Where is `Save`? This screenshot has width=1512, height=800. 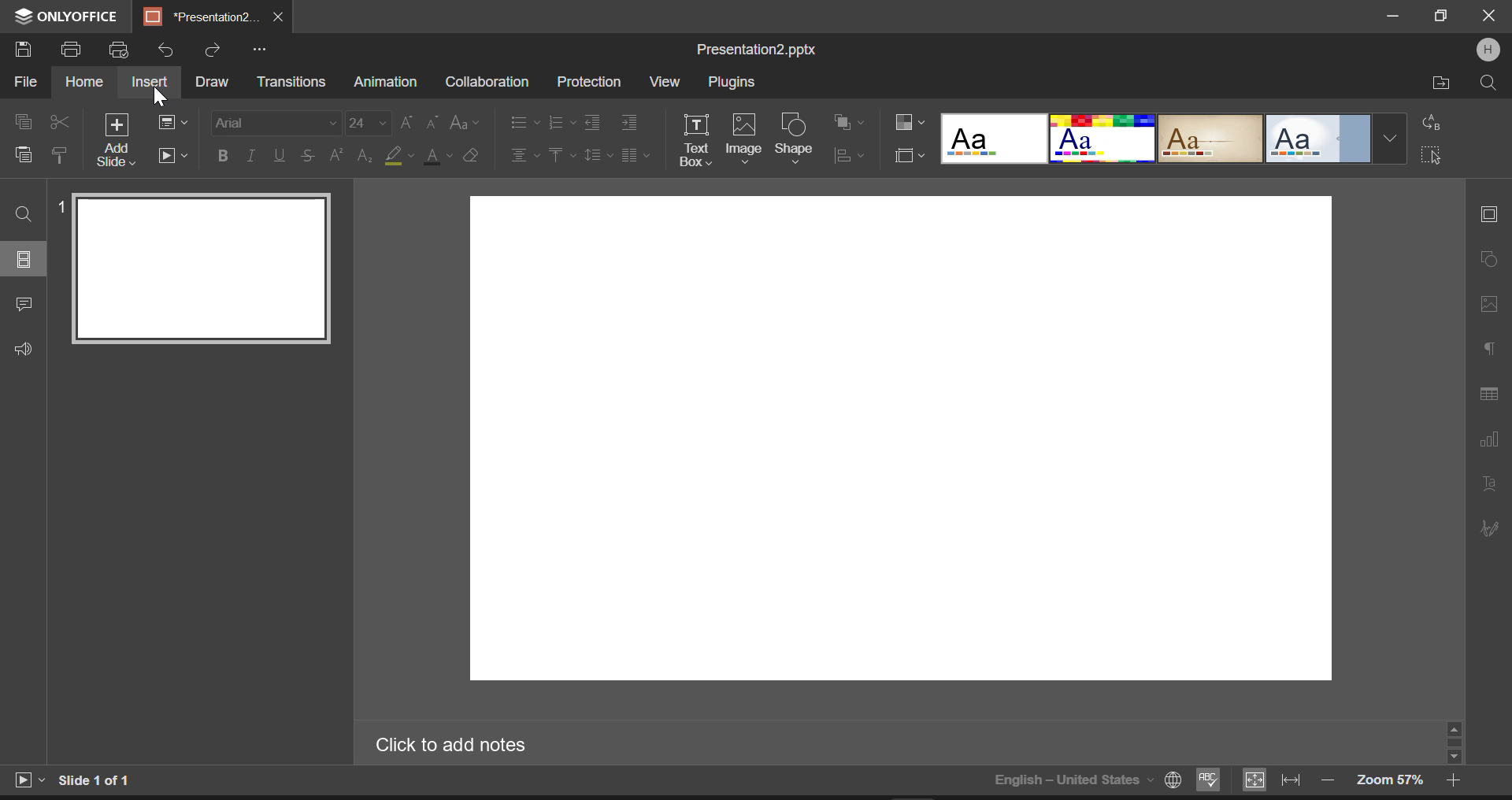
Save is located at coordinates (27, 50).